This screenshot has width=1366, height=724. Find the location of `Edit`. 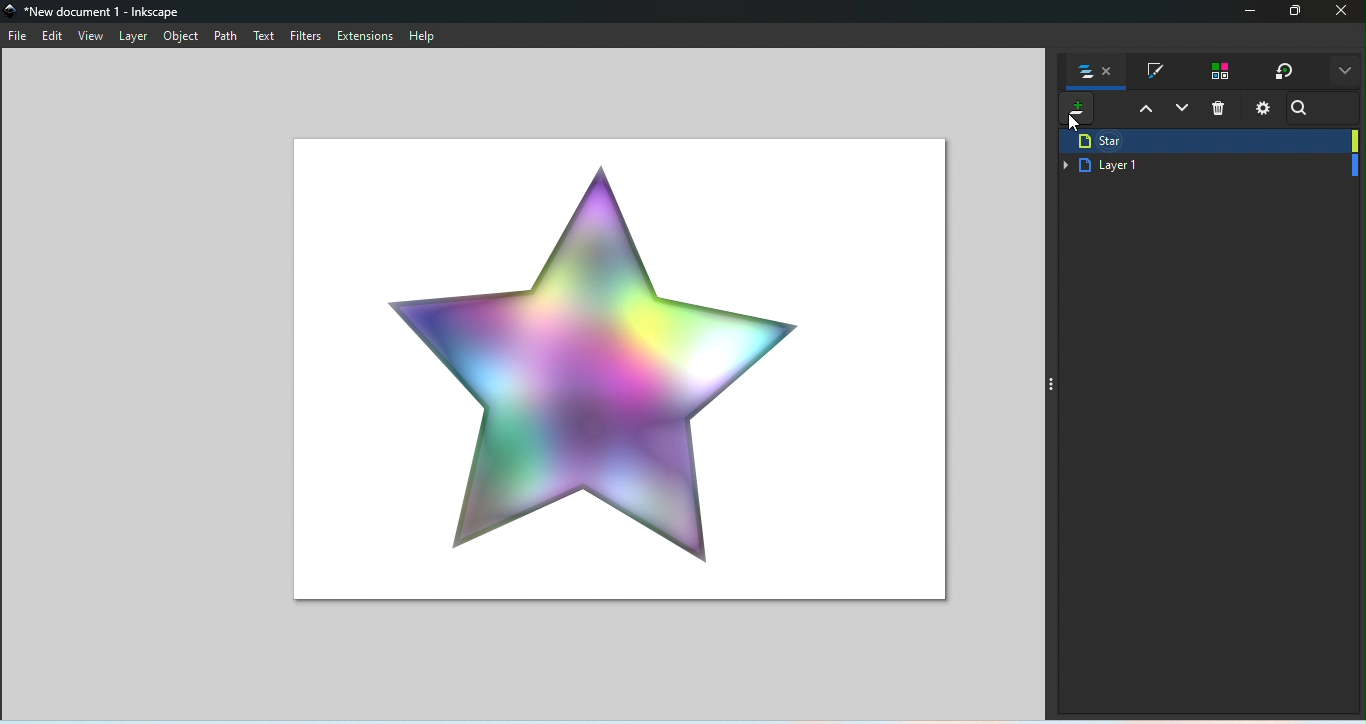

Edit is located at coordinates (52, 38).